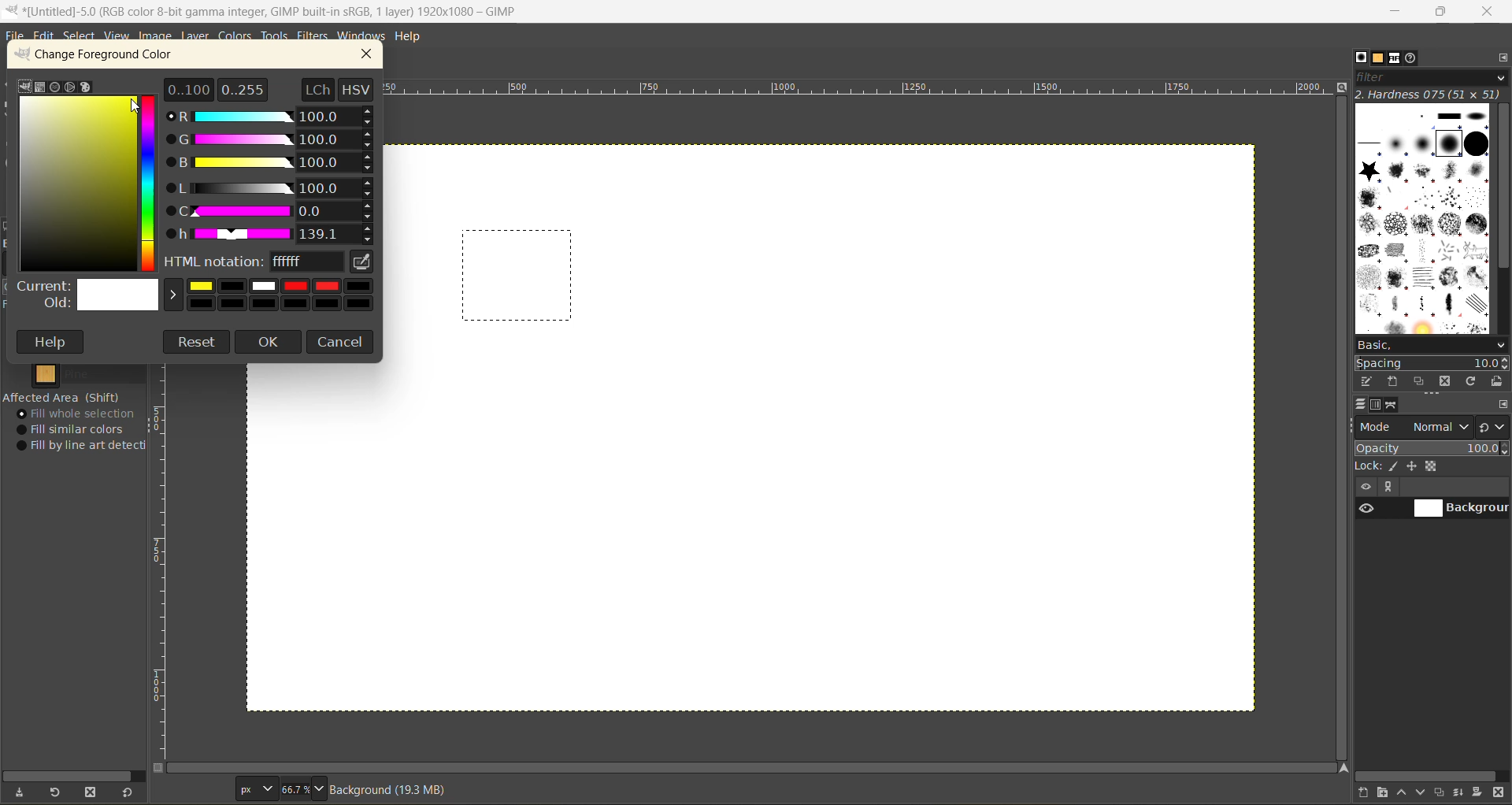 This screenshot has width=1512, height=805. What do you see at coordinates (115, 36) in the screenshot?
I see `view` at bounding box center [115, 36].